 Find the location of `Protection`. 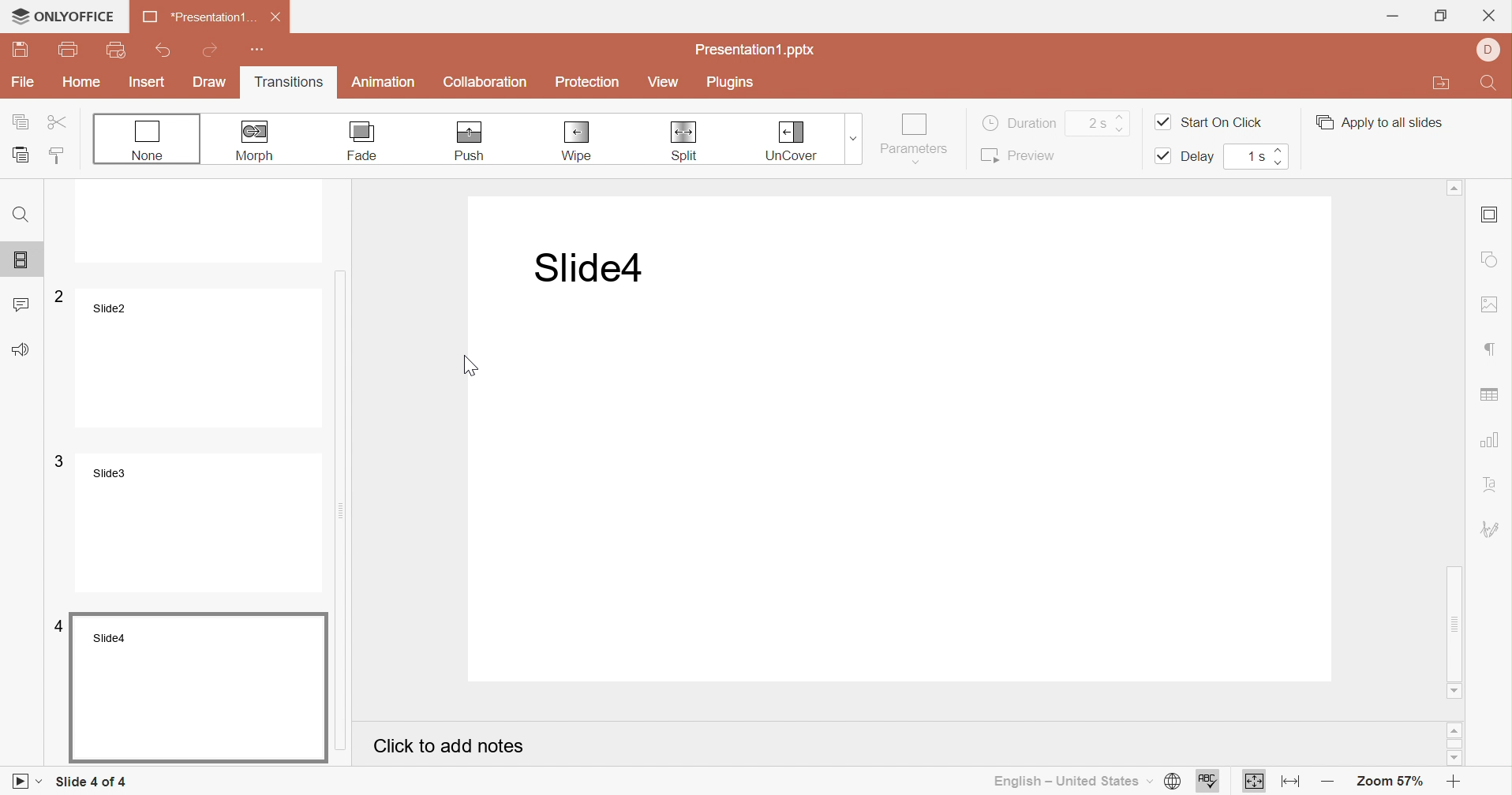

Protection is located at coordinates (588, 84).